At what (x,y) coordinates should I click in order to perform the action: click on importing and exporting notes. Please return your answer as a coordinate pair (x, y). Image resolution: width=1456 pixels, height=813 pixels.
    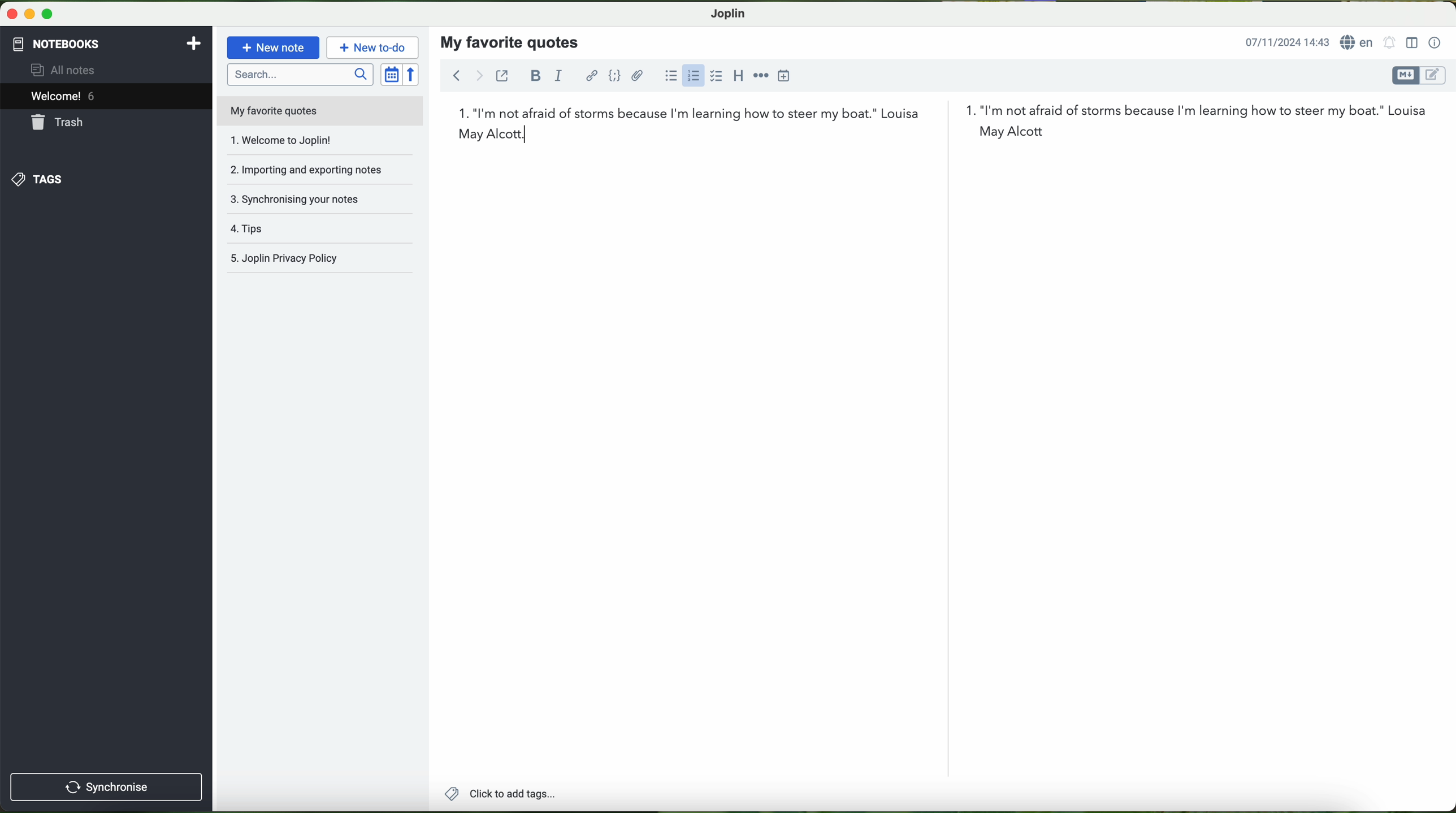
    Looking at the image, I should click on (318, 168).